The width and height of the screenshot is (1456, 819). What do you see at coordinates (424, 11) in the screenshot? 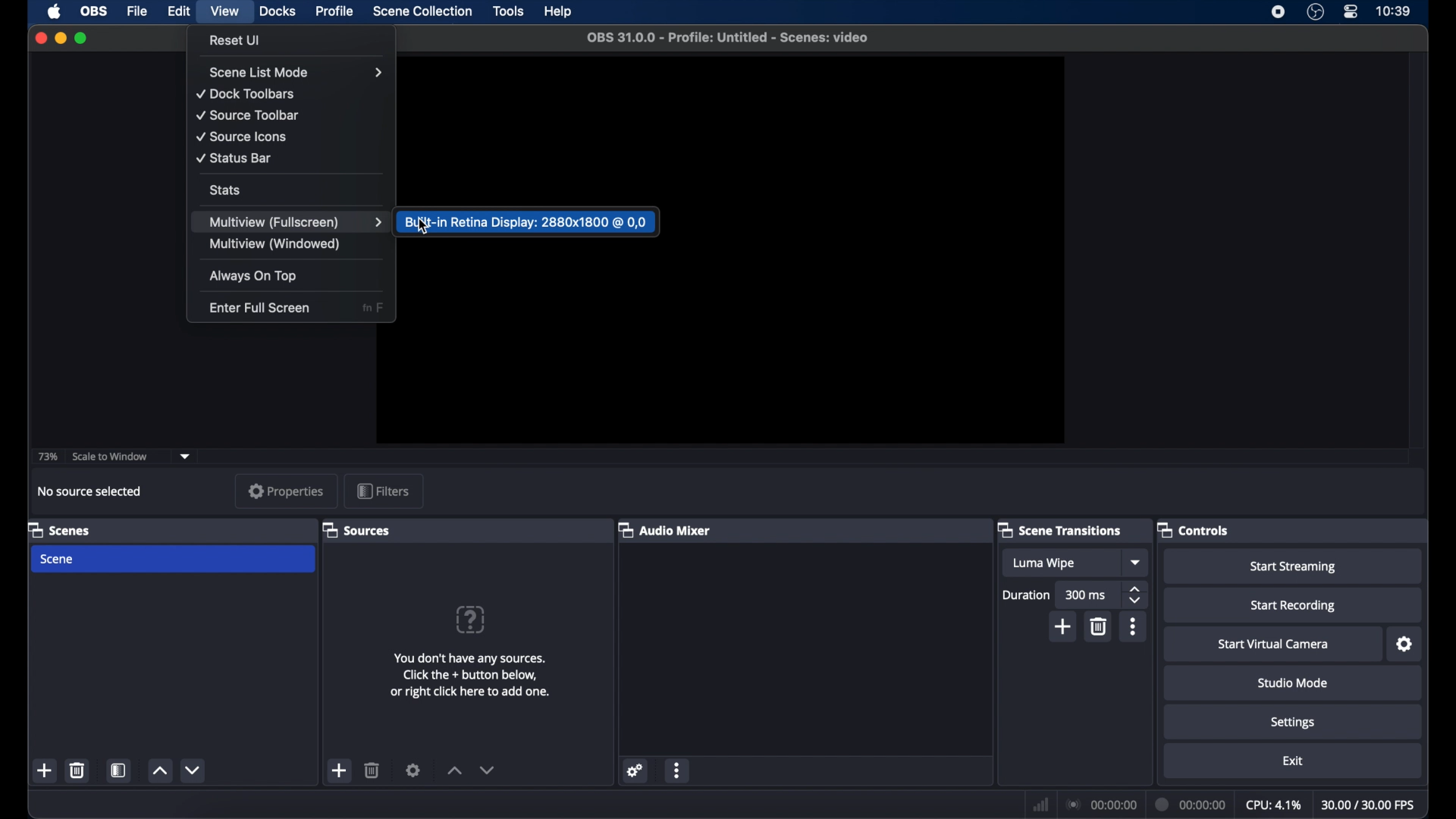
I see `scene collection` at bounding box center [424, 11].